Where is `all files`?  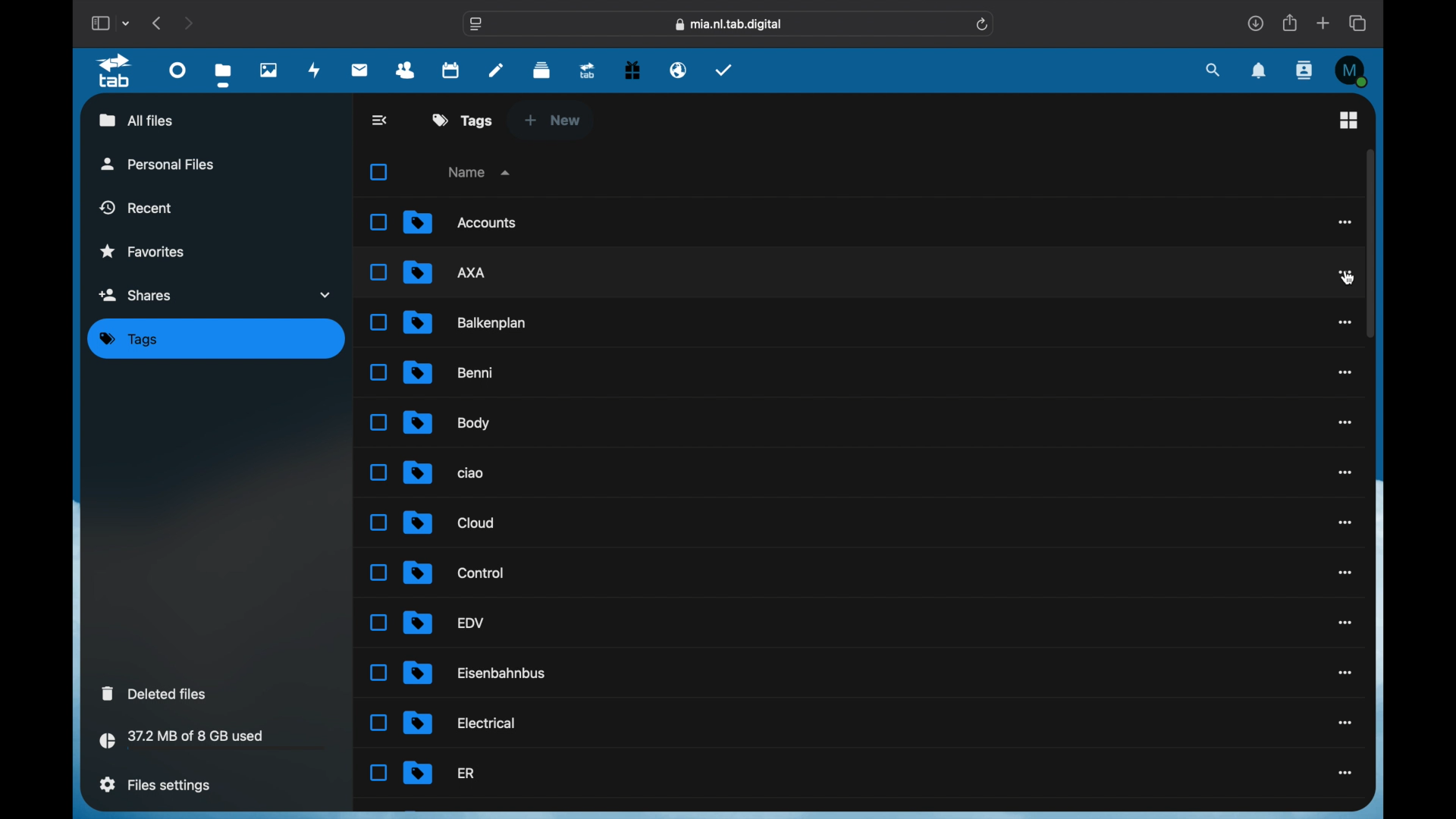
all files is located at coordinates (136, 120).